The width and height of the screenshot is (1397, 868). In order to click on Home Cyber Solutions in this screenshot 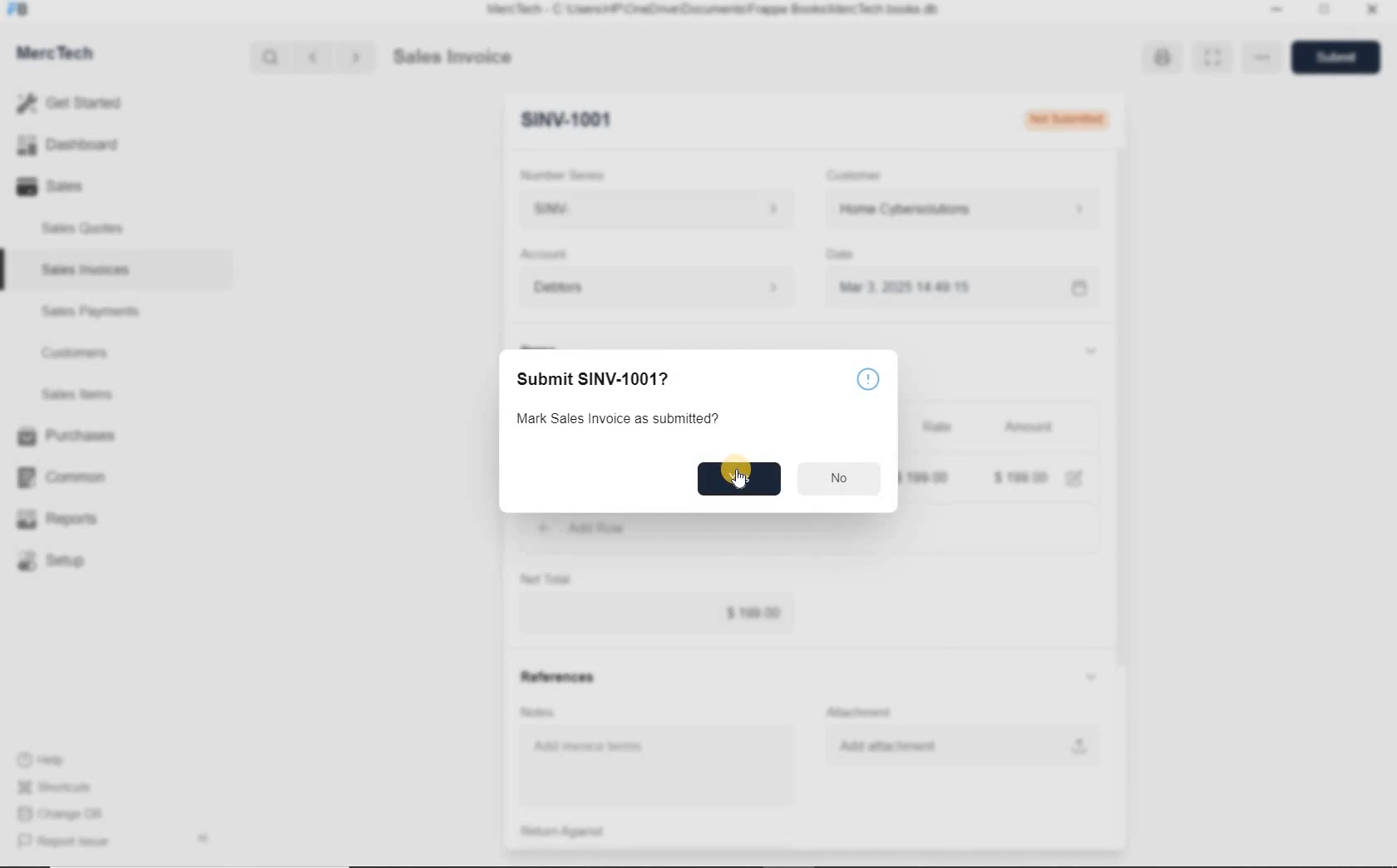, I will do `click(961, 210)`.